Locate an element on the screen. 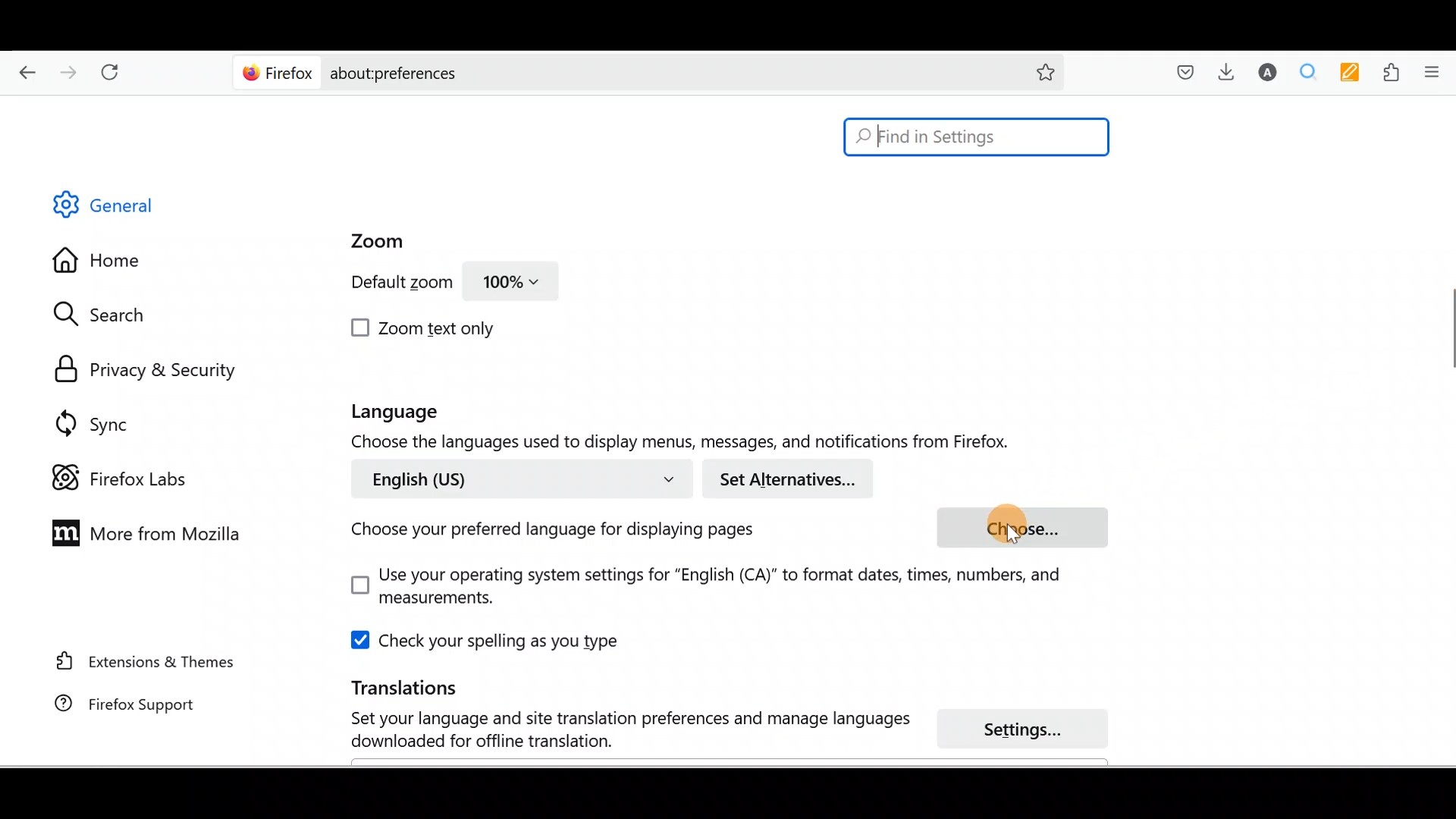  choose is located at coordinates (1029, 528).